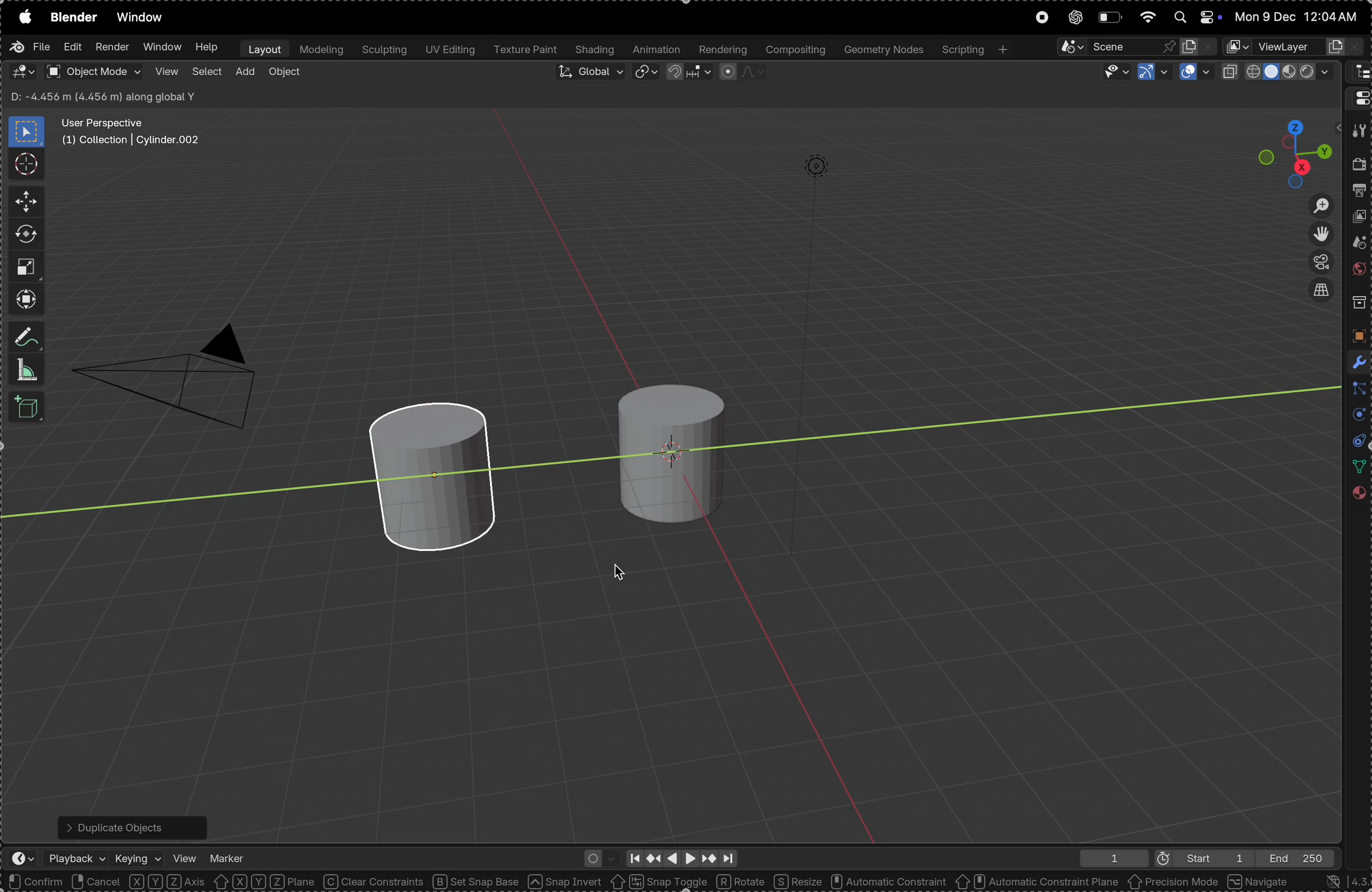  Describe the element at coordinates (721, 50) in the screenshot. I see `rendering` at that location.